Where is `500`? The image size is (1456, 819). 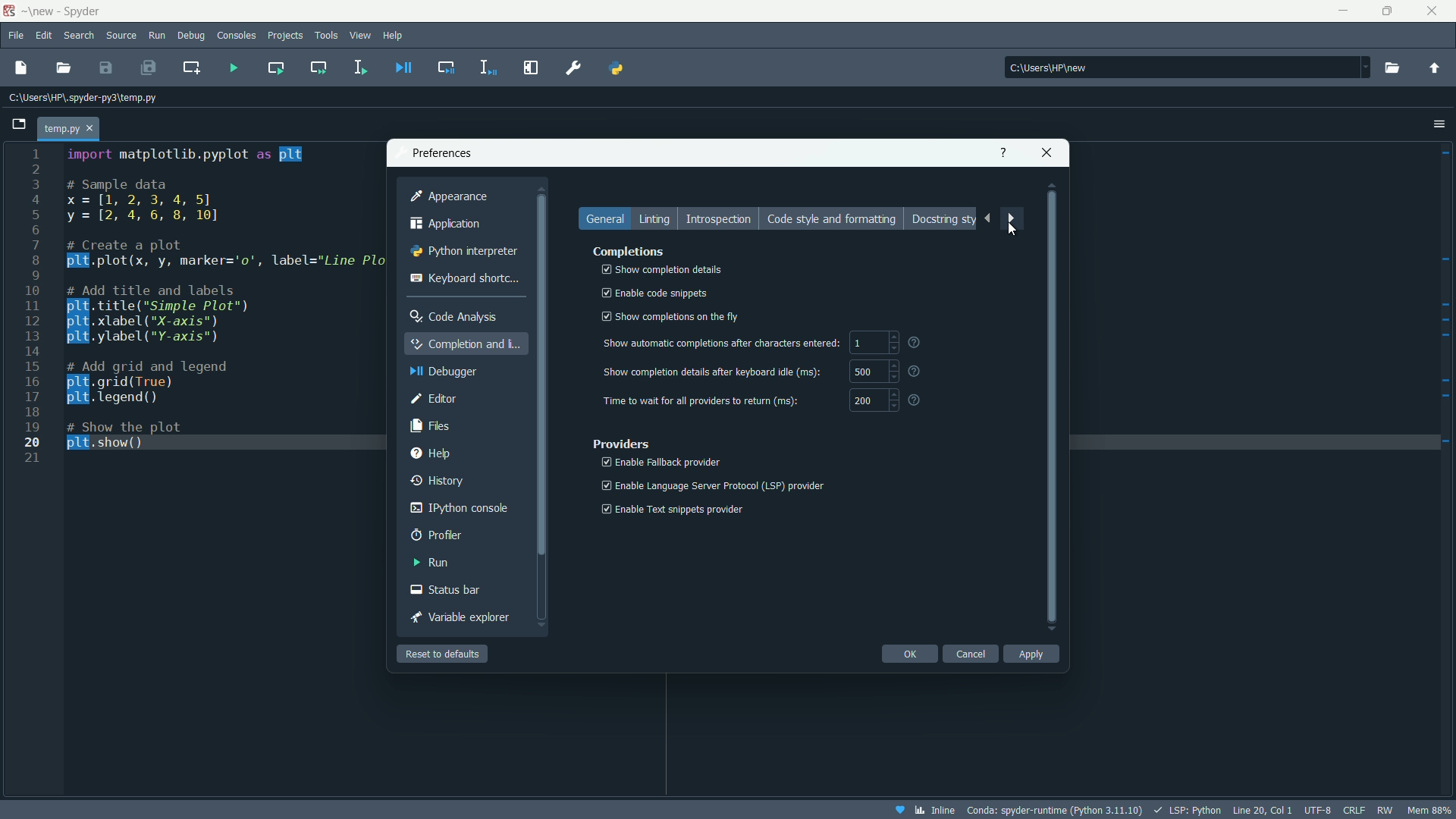
500 is located at coordinates (867, 372).